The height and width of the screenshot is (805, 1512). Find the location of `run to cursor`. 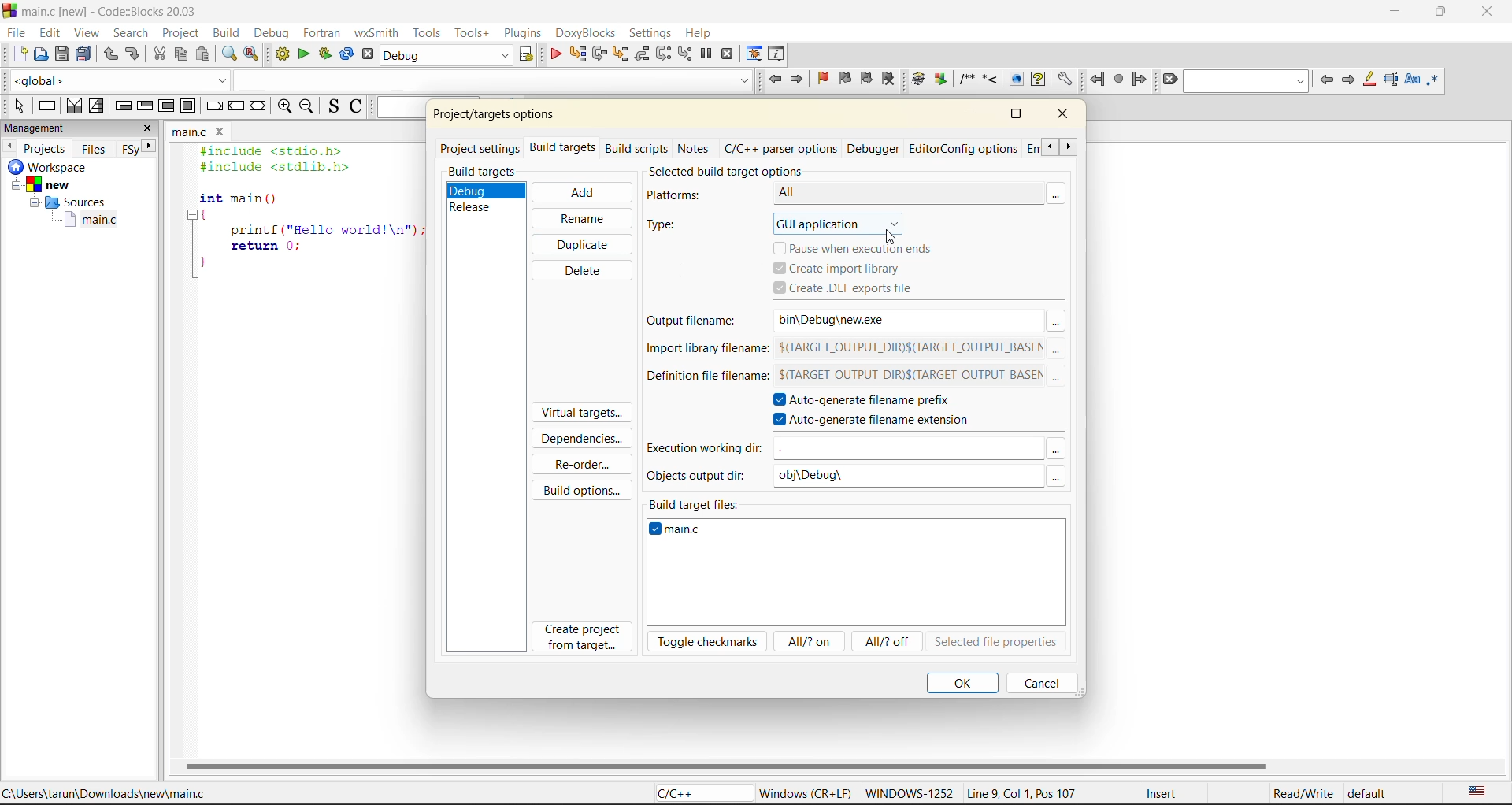

run to cursor is located at coordinates (579, 54).